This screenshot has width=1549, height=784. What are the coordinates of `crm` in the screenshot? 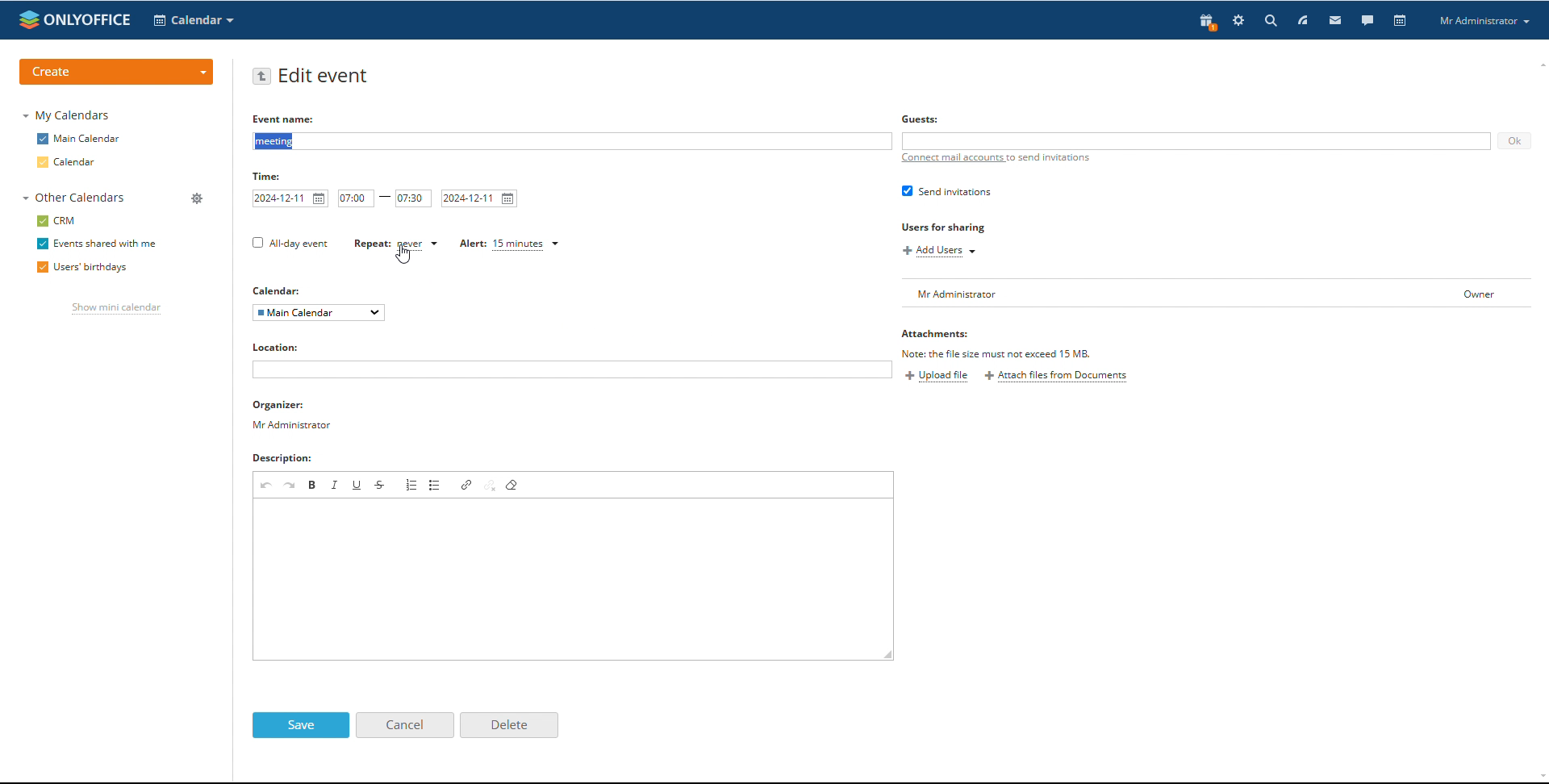 It's located at (56, 221).